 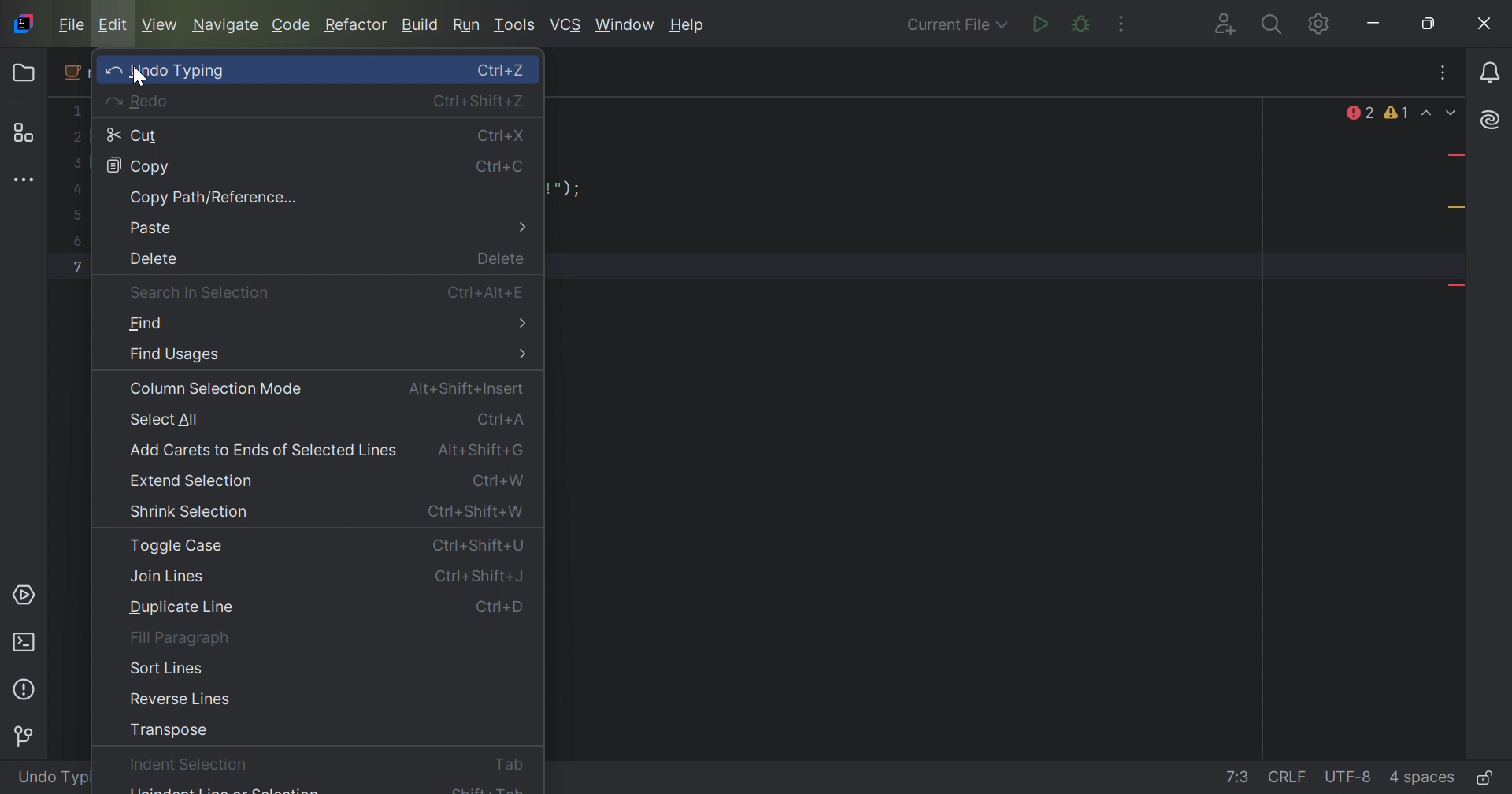 I want to click on cursor, so click(x=143, y=76).